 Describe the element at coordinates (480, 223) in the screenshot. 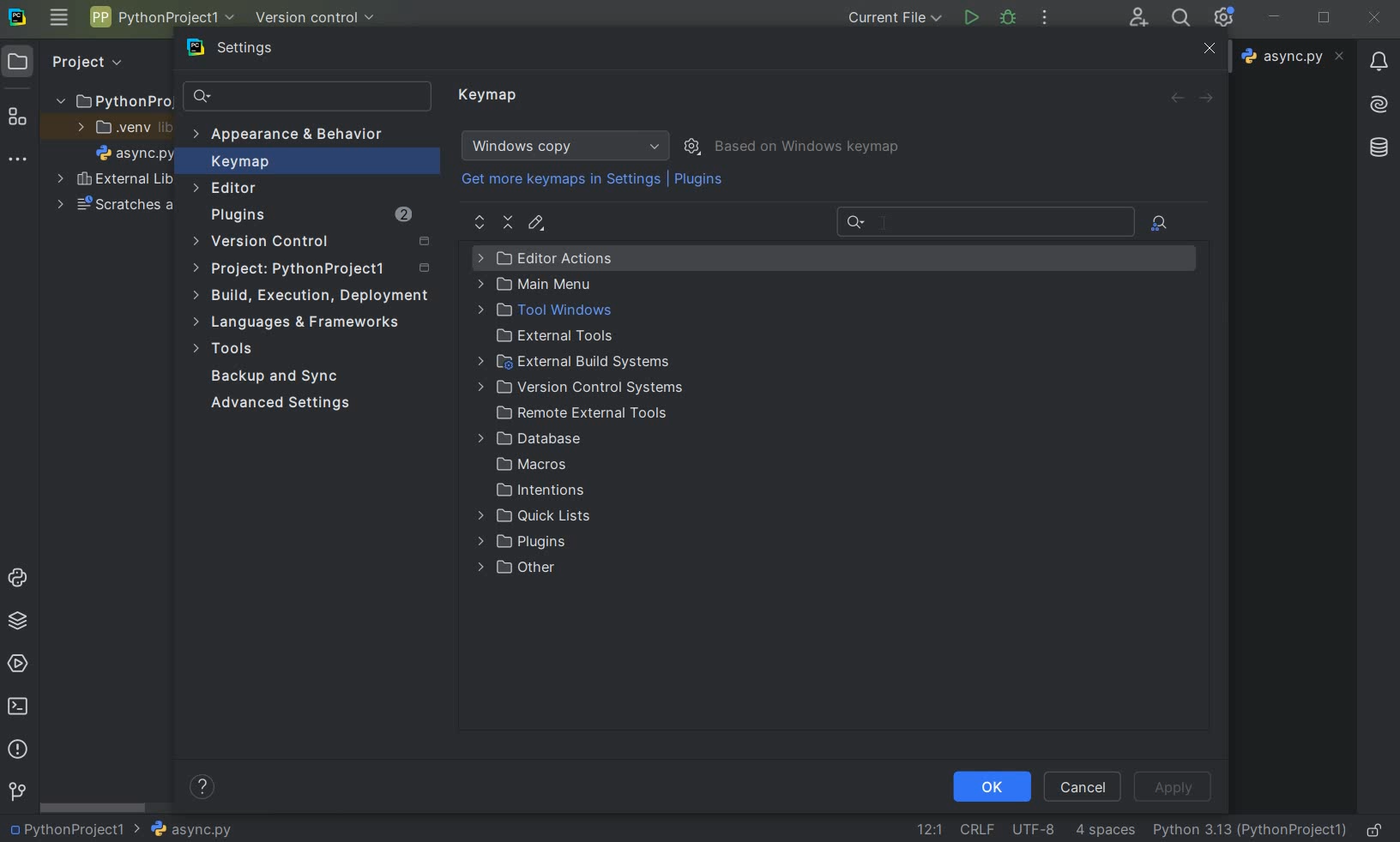

I see `expand all` at that location.